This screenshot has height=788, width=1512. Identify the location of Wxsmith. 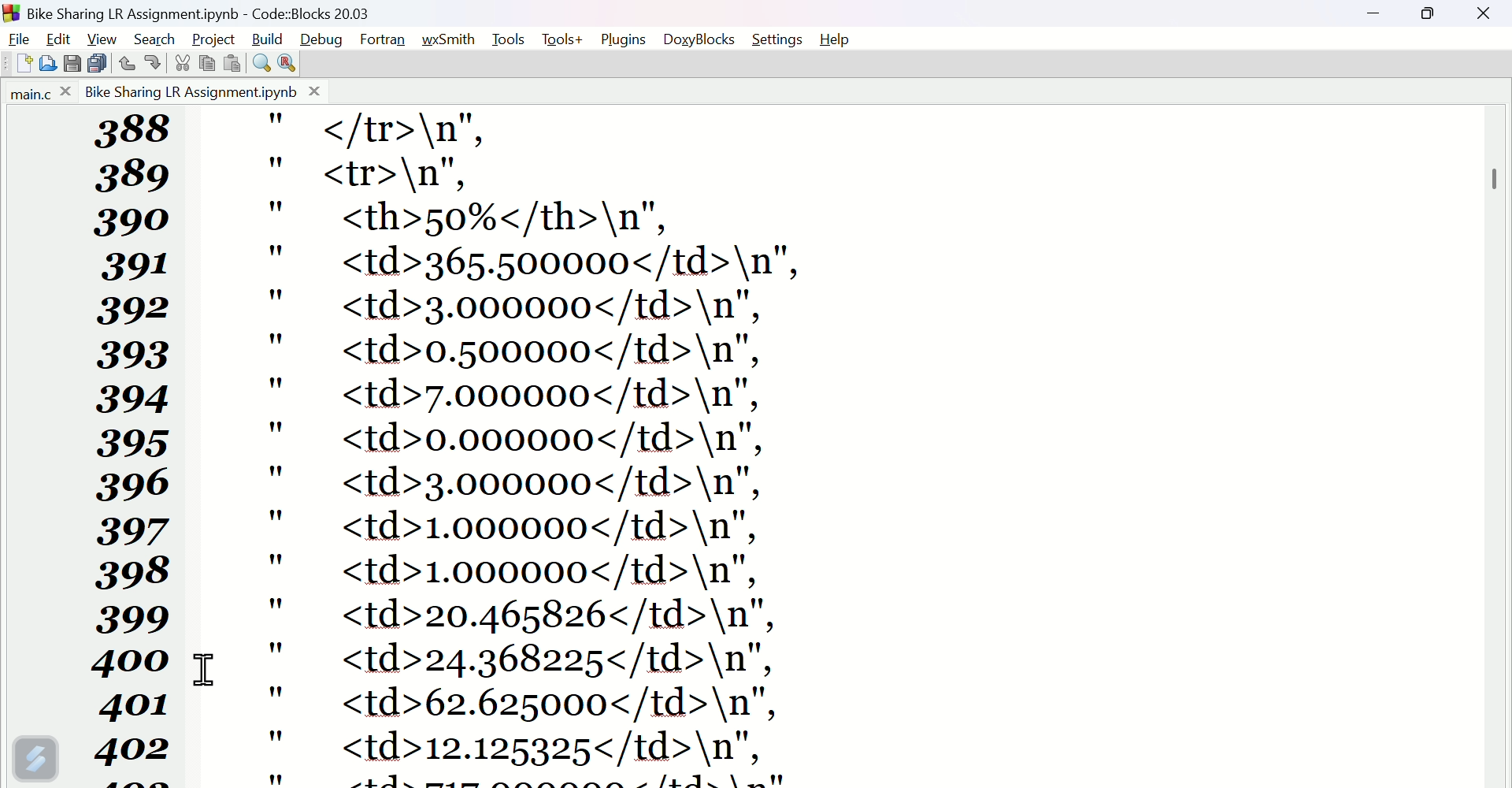
(449, 39).